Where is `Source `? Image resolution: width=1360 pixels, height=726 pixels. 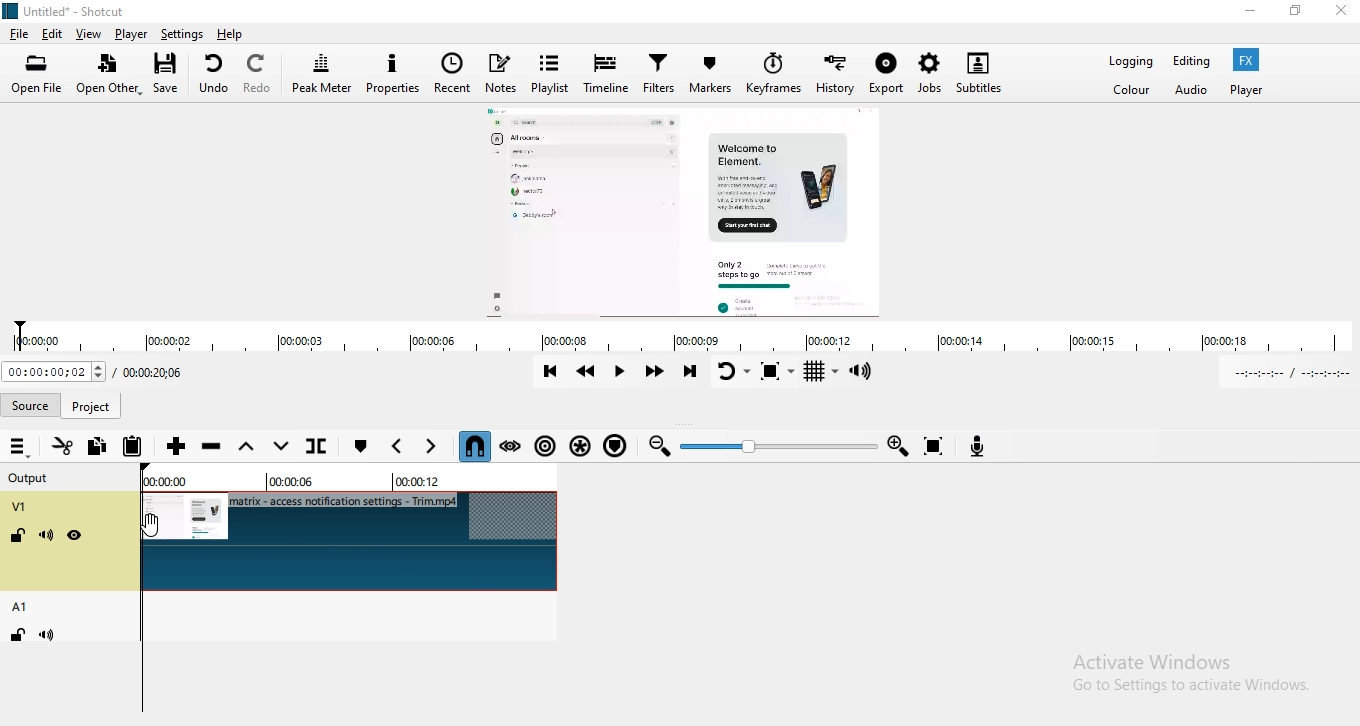 Source  is located at coordinates (35, 406).